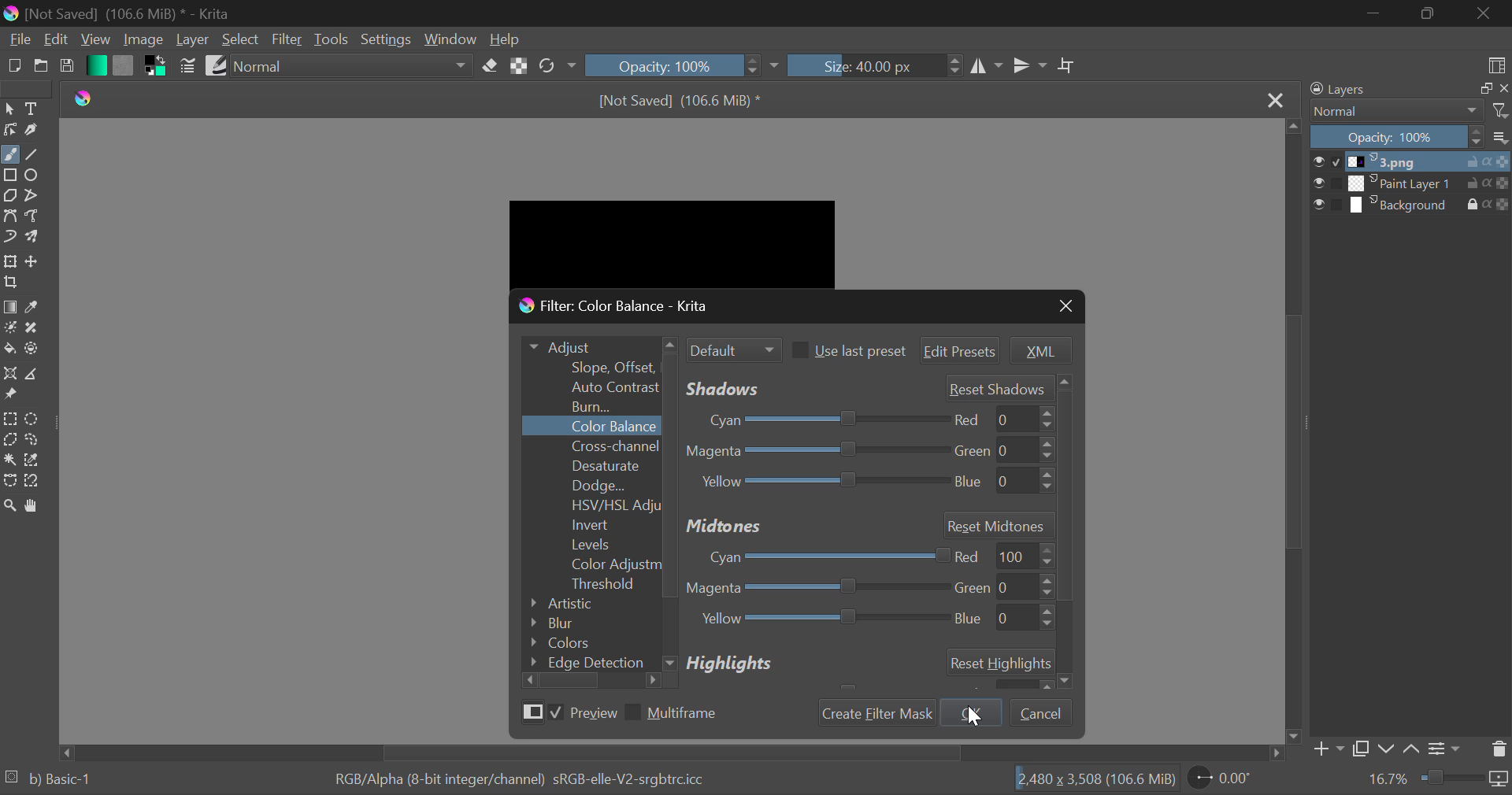 The height and width of the screenshot is (795, 1512). I want to click on Bezier Curve Selection, so click(10, 480).